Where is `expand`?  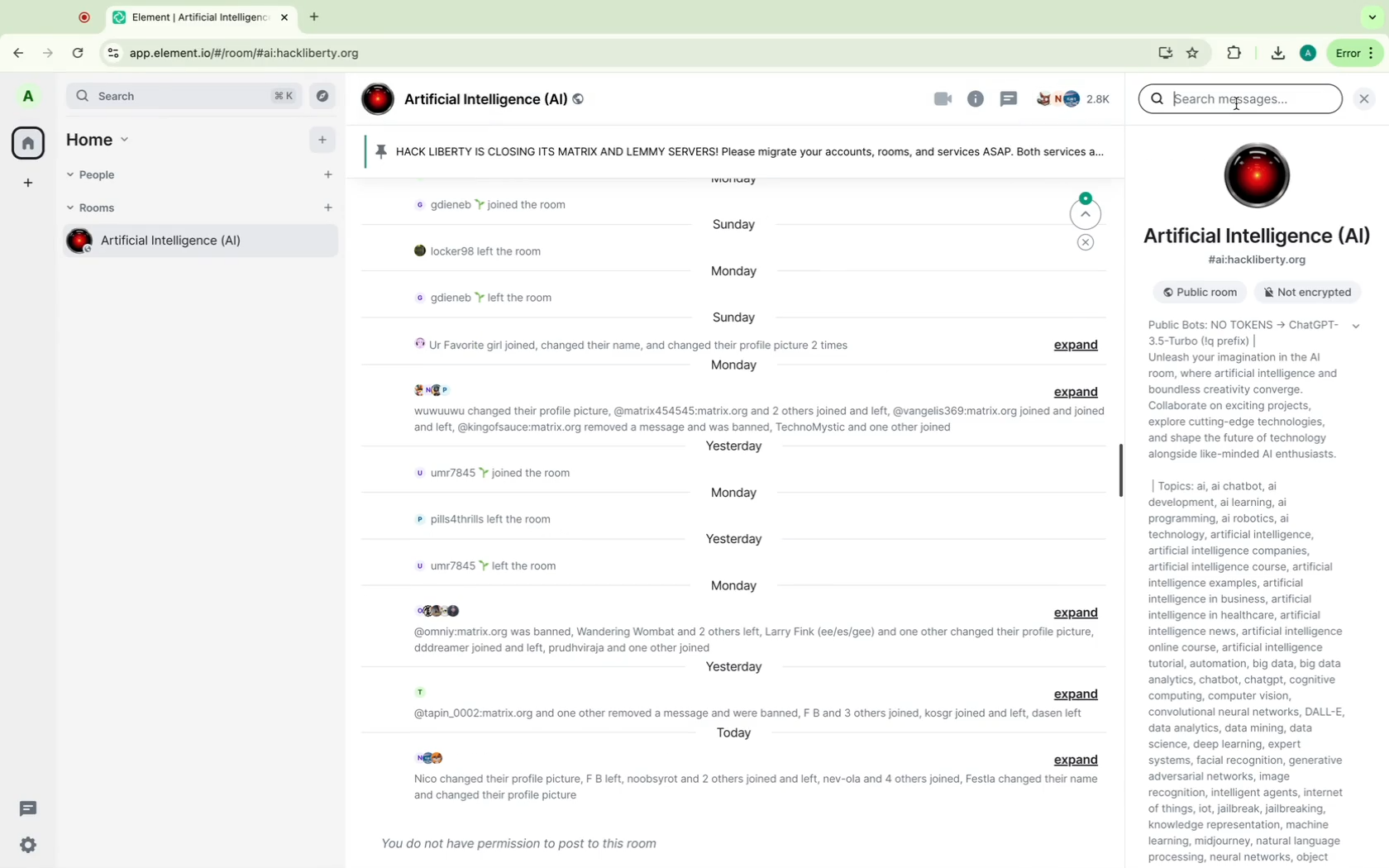
expand is located at coordinates (1075, 760).